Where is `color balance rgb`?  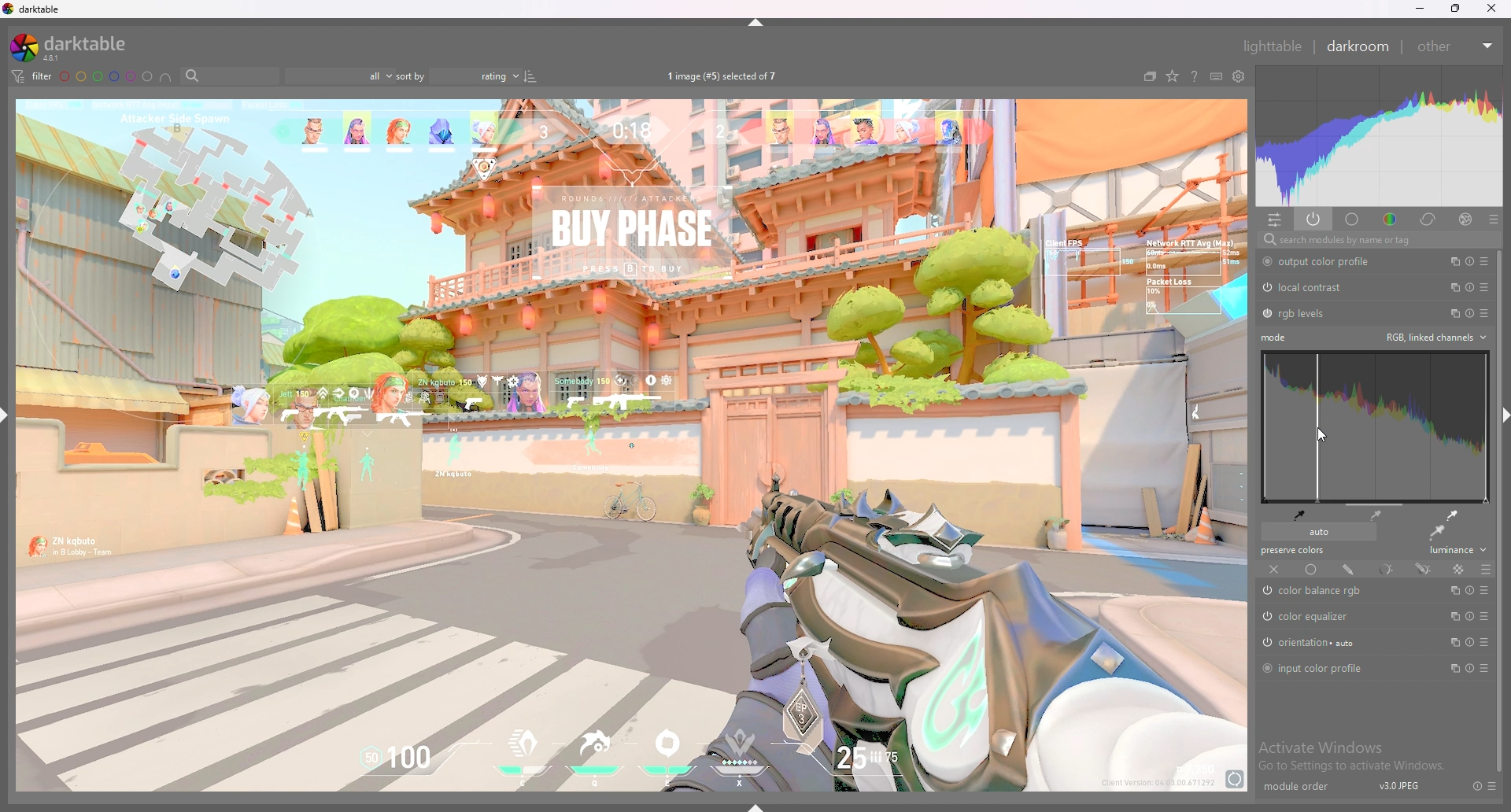 color balance rgb is located at coordinates (1330, 592).